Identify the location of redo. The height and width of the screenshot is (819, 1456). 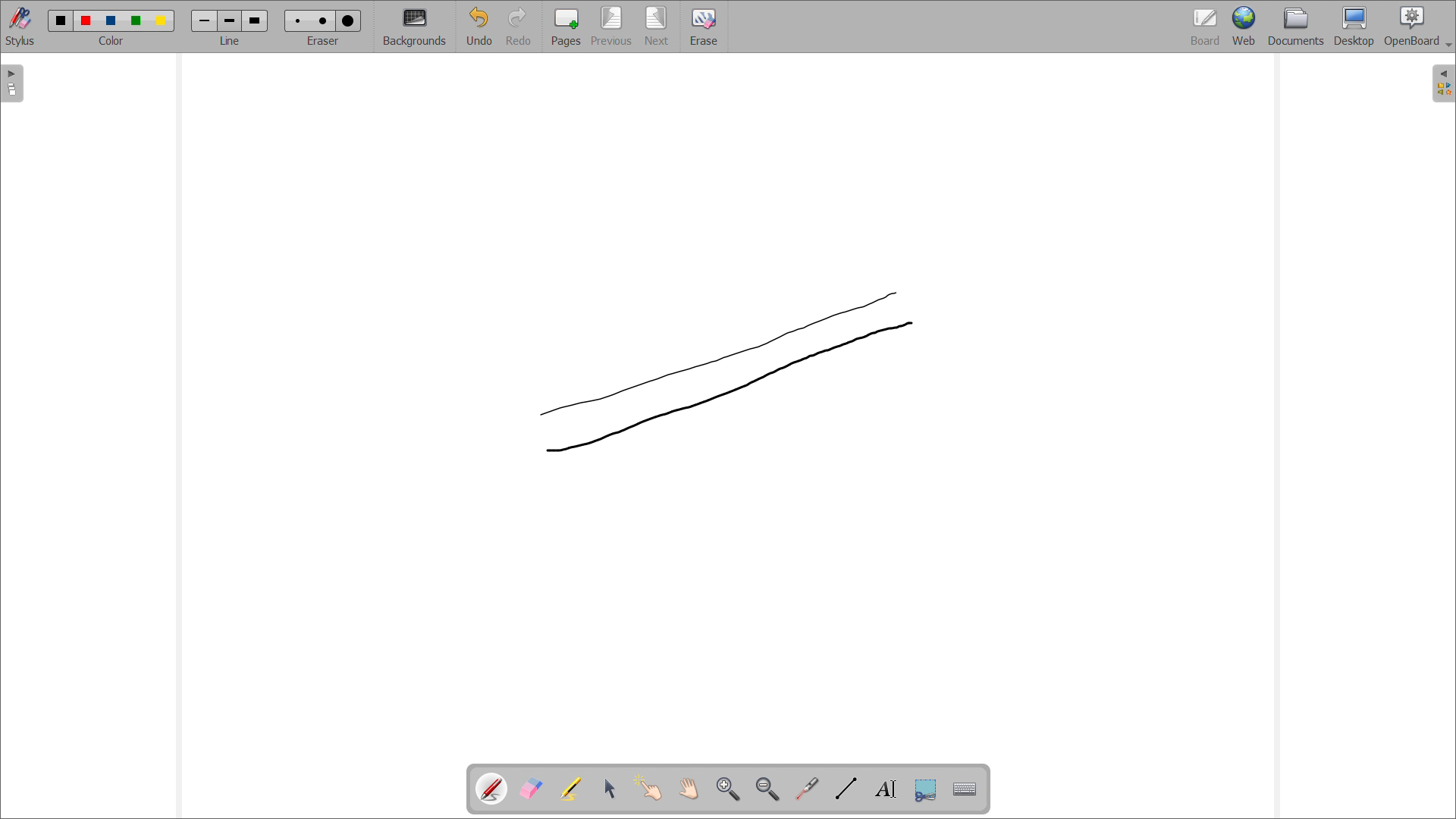
(519, 26).